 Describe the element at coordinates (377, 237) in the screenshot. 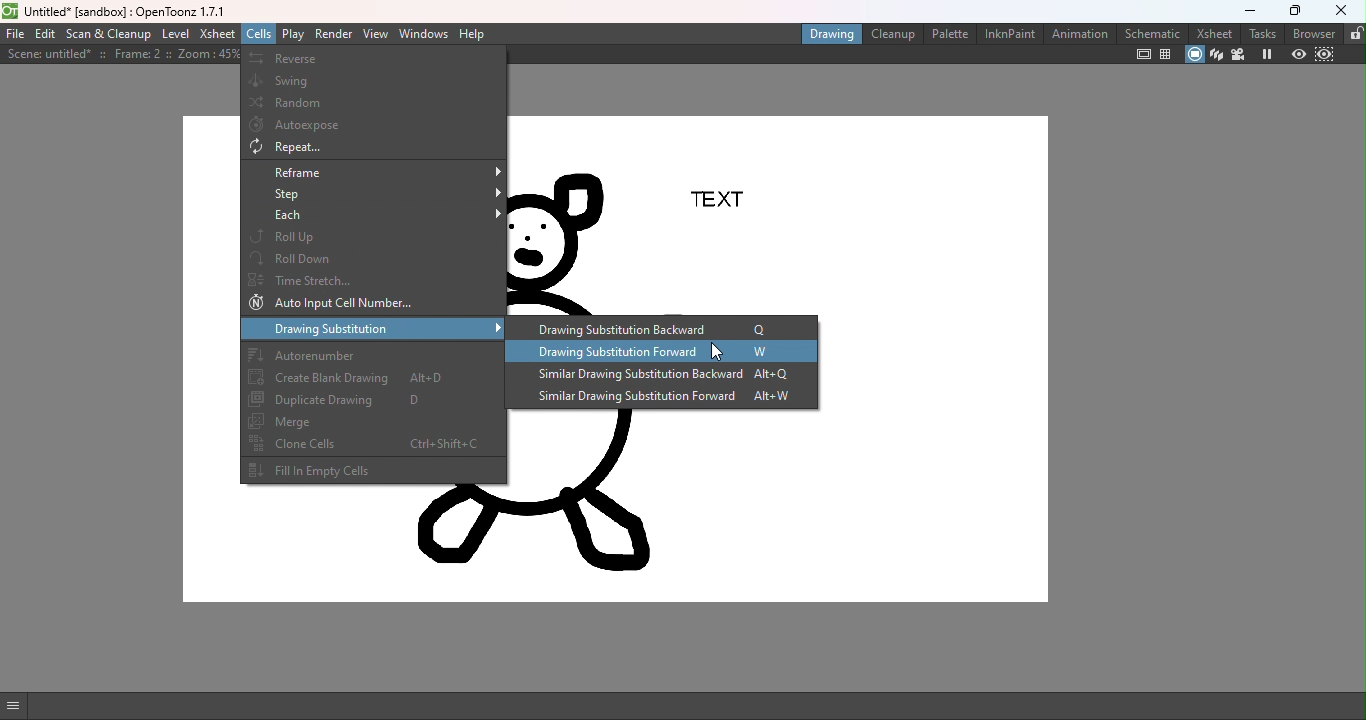

I see `Roll up` at that location.